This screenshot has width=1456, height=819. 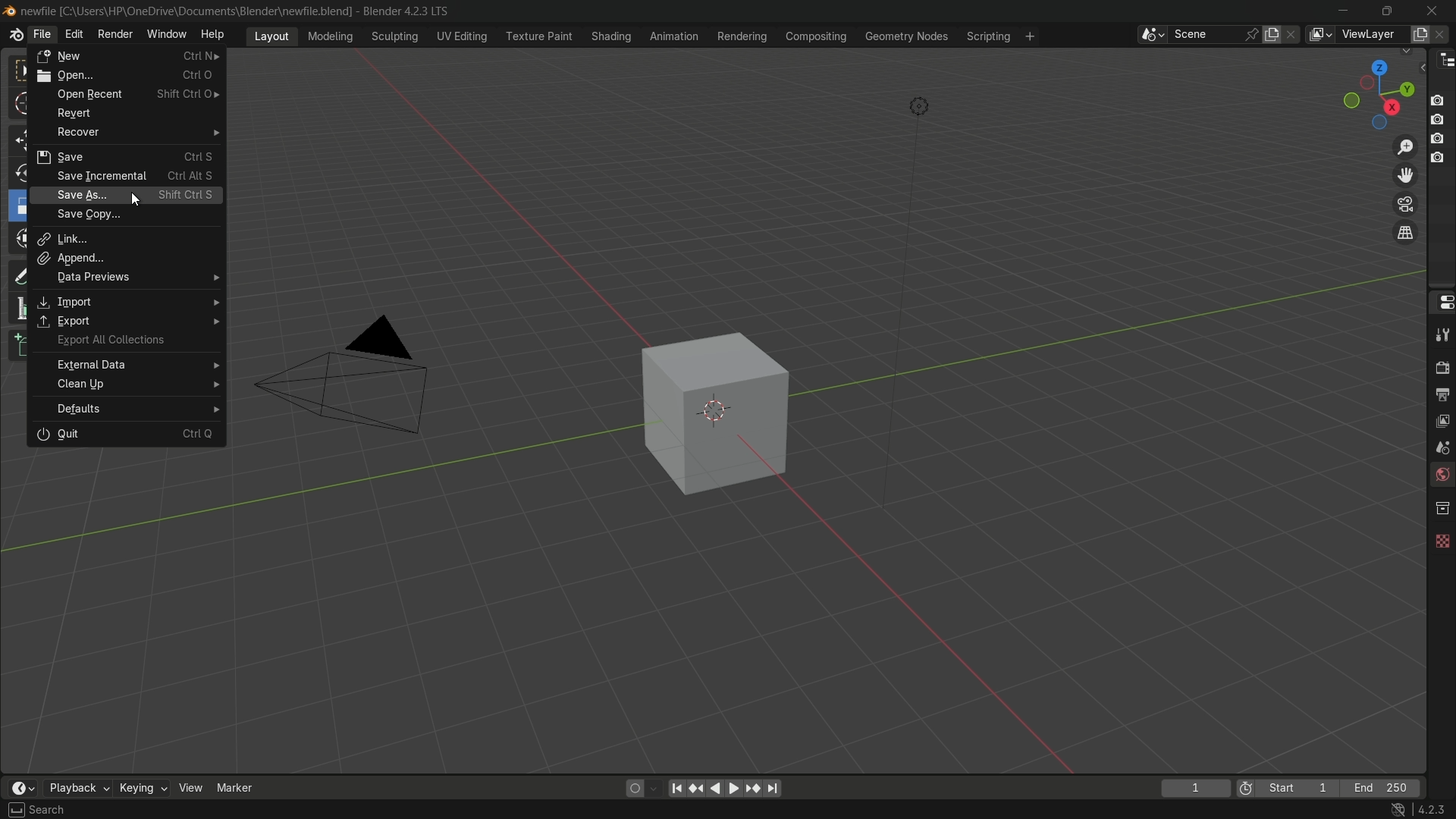 What do you see at coordinates (674, 36) in the screenshot?
I see `animation menu` at bounding box center [674, 36].